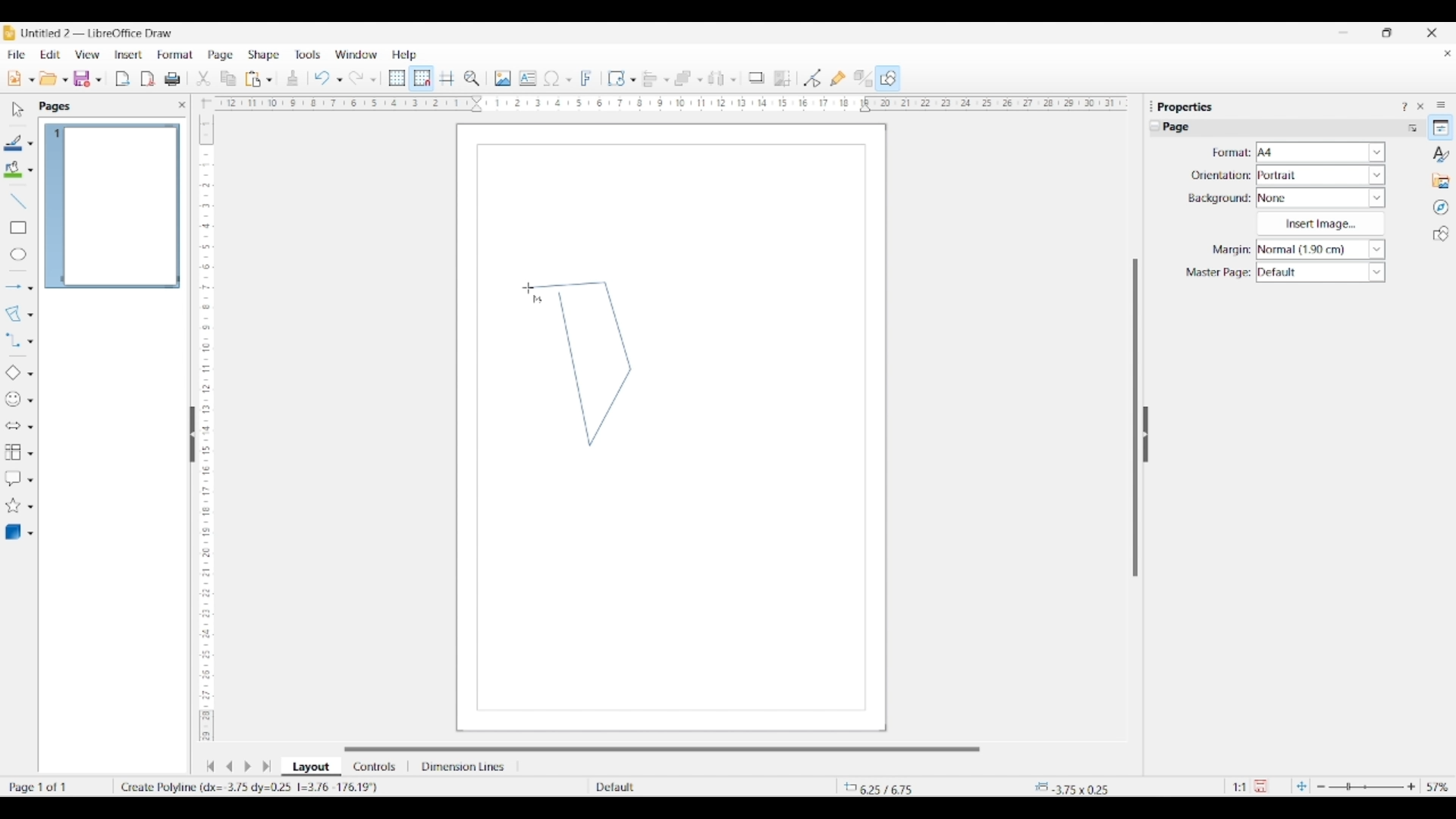  What do you see at coordinates (12, 373) in the screenshot?
I see `Selected basic shape` at bounding box center [12, 373].